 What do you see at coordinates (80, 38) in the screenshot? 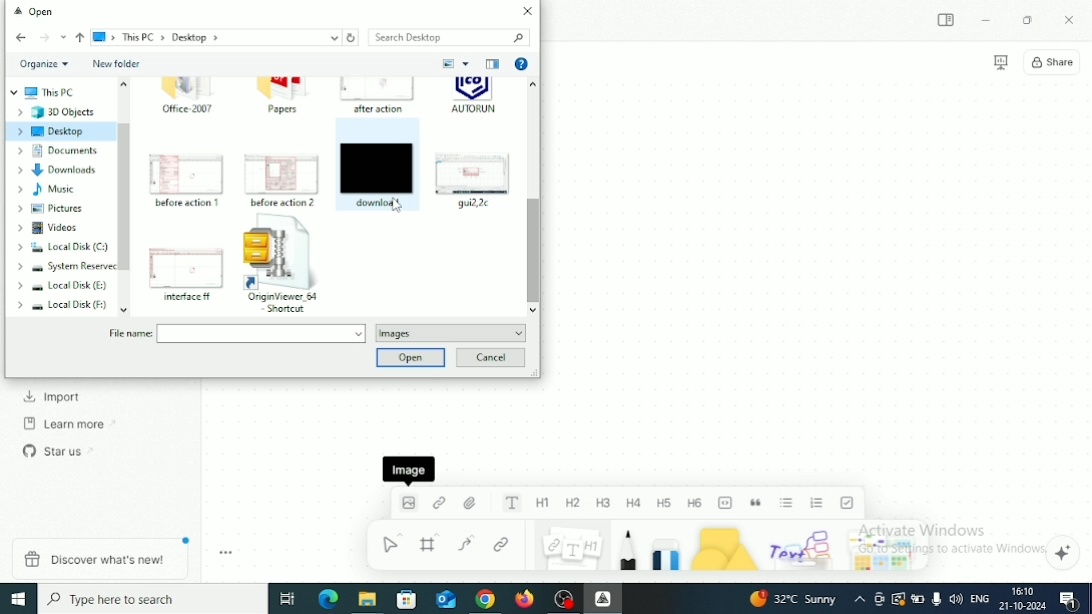
I see `Up to "This PC"` at bounding box center [80, 38].